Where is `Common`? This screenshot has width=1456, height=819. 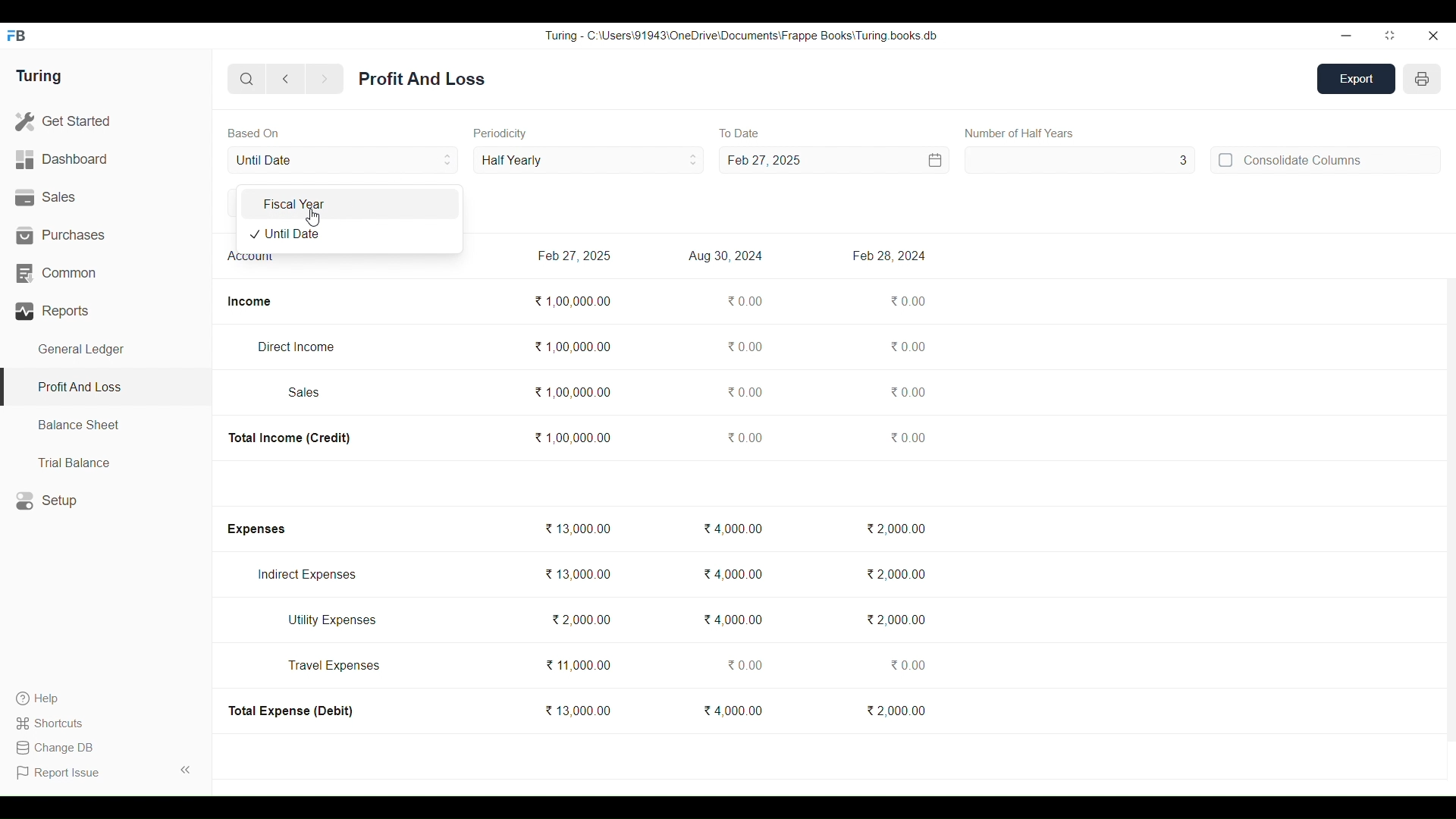 Common is located at coordinates (105, 274).